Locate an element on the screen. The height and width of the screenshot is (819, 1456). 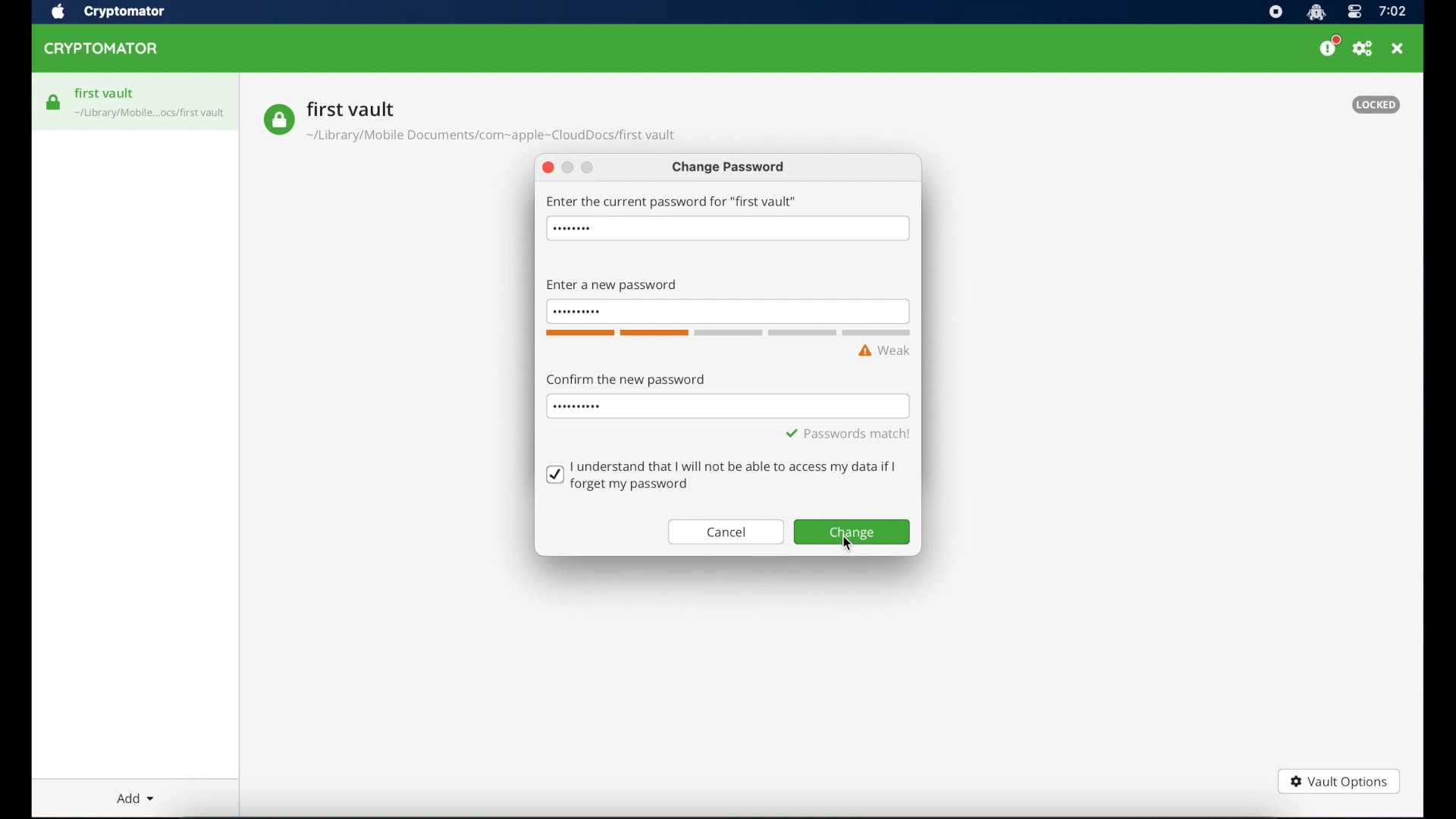
vault location is located at coordinates (493, 138).